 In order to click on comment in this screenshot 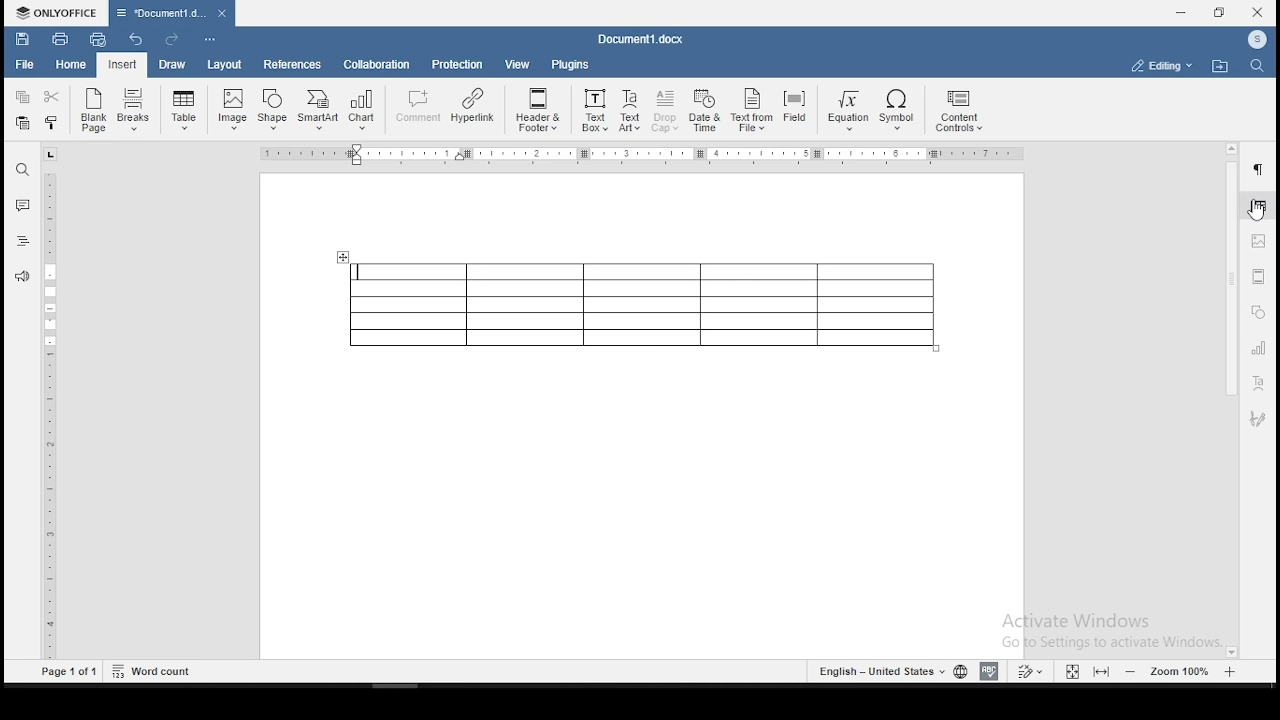, I will do `click(416, 106)`.